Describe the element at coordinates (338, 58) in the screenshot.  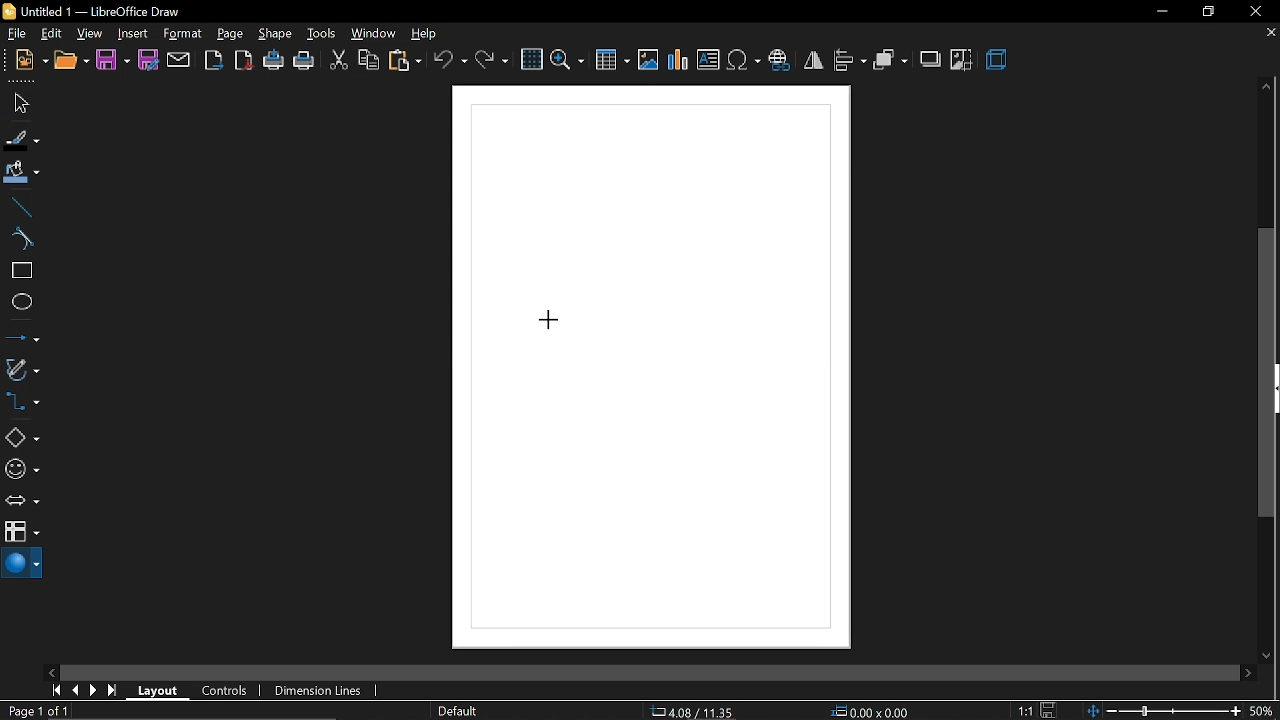
I see `cut` at that location.